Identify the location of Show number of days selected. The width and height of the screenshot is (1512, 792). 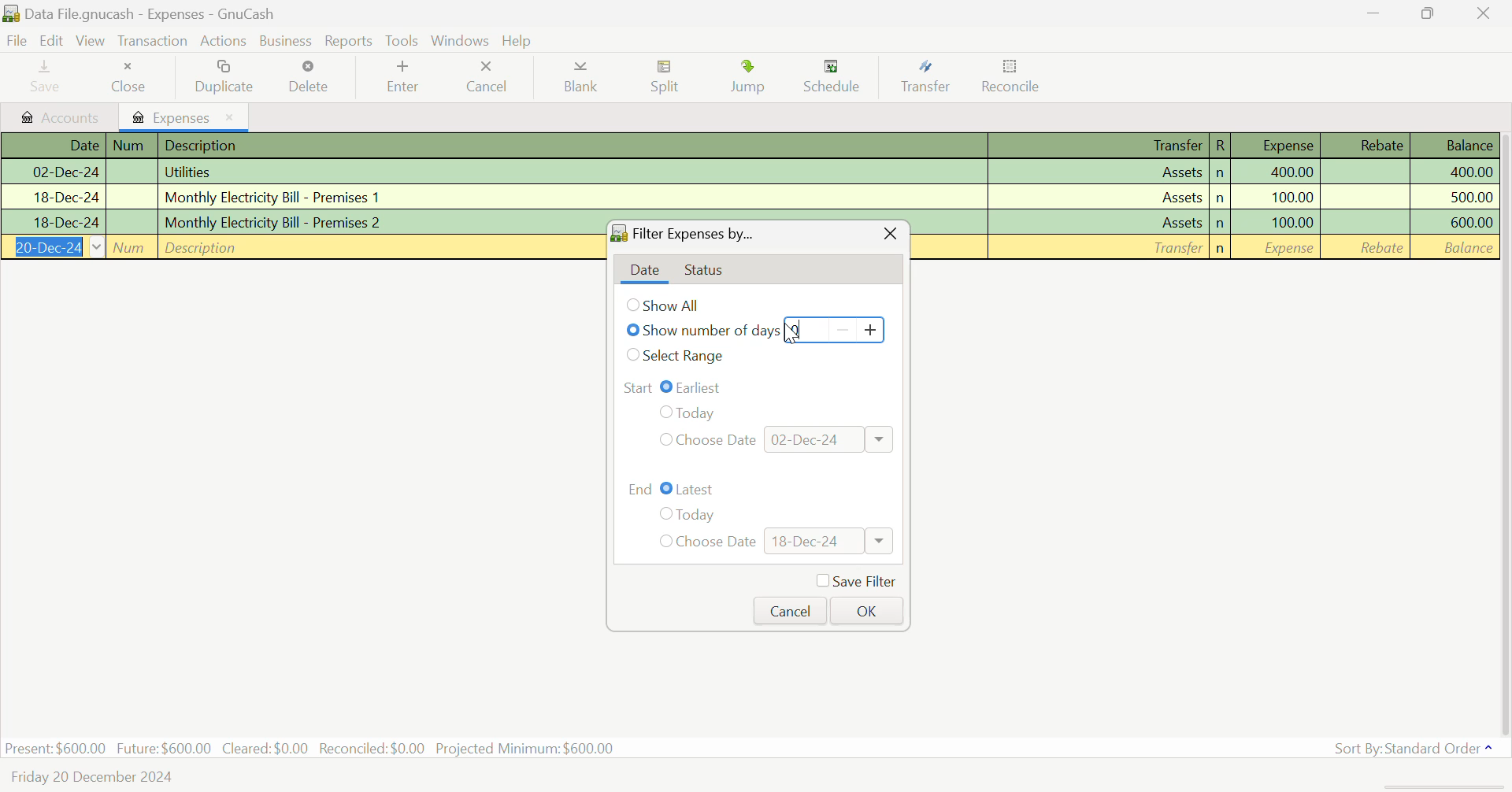
(700, 331).